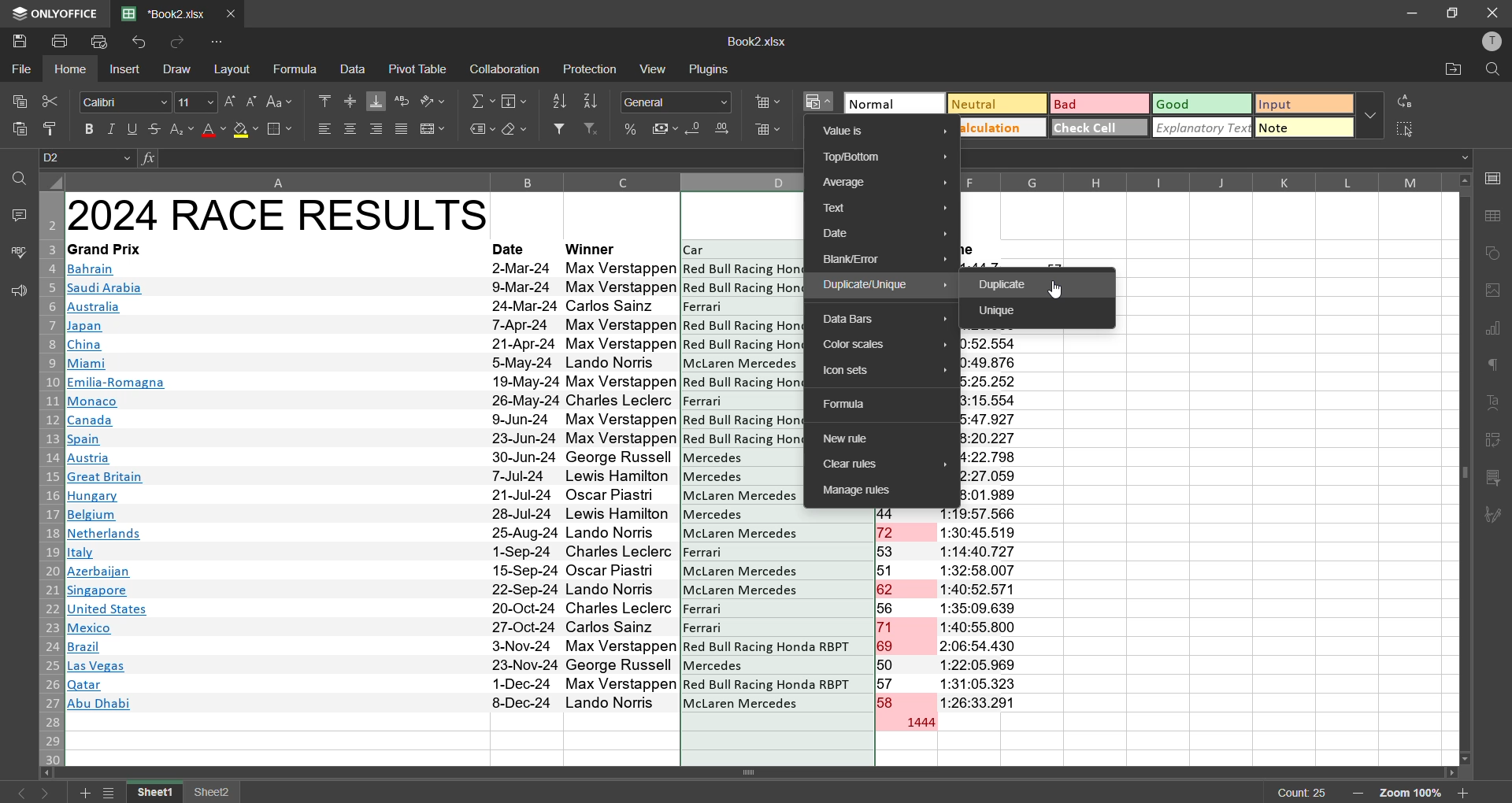 The image size is (1512, 803). Describe the element at coordinates (704, 305) in the screenshot. I see `car name` at that location.